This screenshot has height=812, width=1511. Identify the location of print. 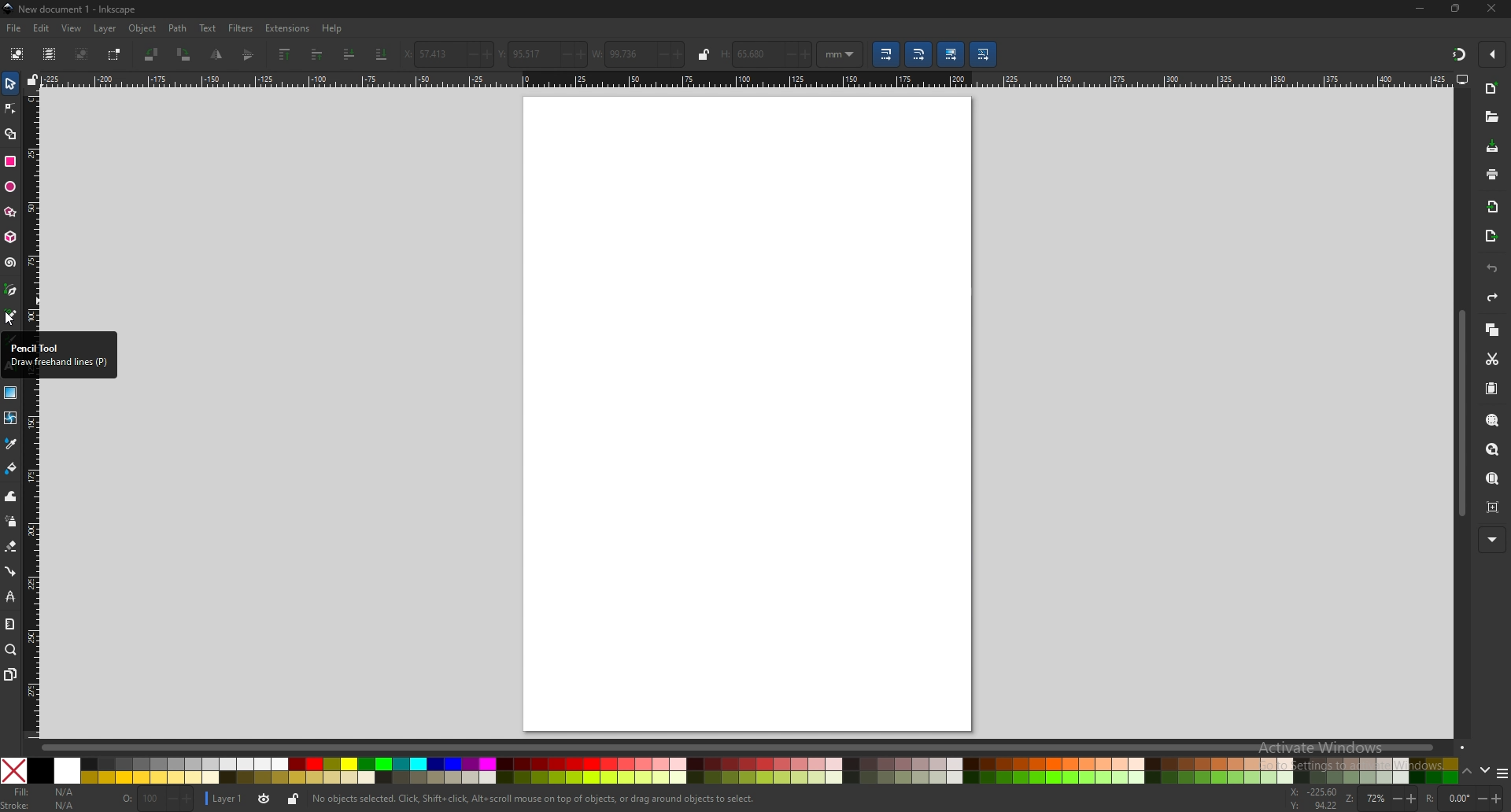
(1490, 174).